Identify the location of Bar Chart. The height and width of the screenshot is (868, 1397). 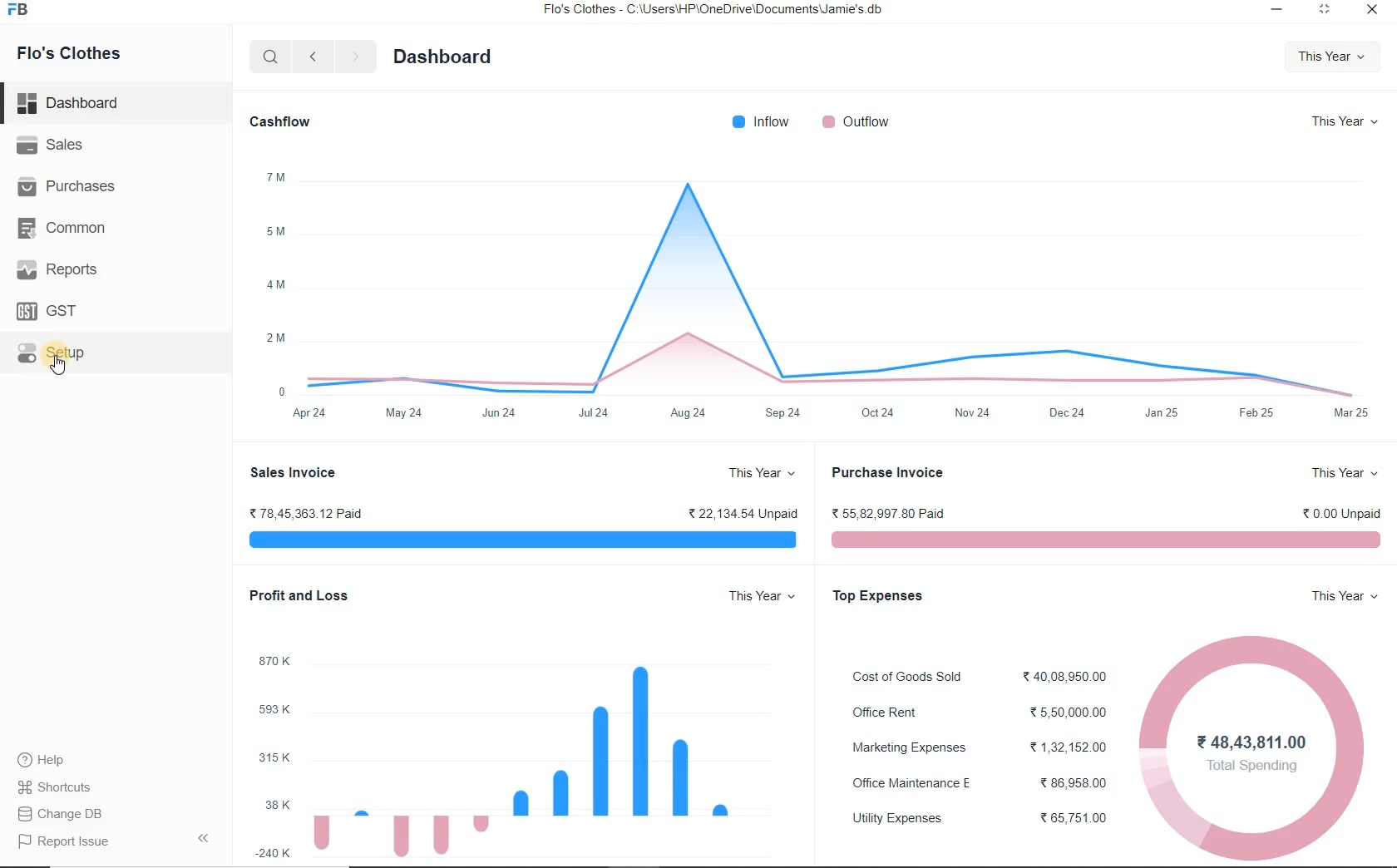
(529, 760).